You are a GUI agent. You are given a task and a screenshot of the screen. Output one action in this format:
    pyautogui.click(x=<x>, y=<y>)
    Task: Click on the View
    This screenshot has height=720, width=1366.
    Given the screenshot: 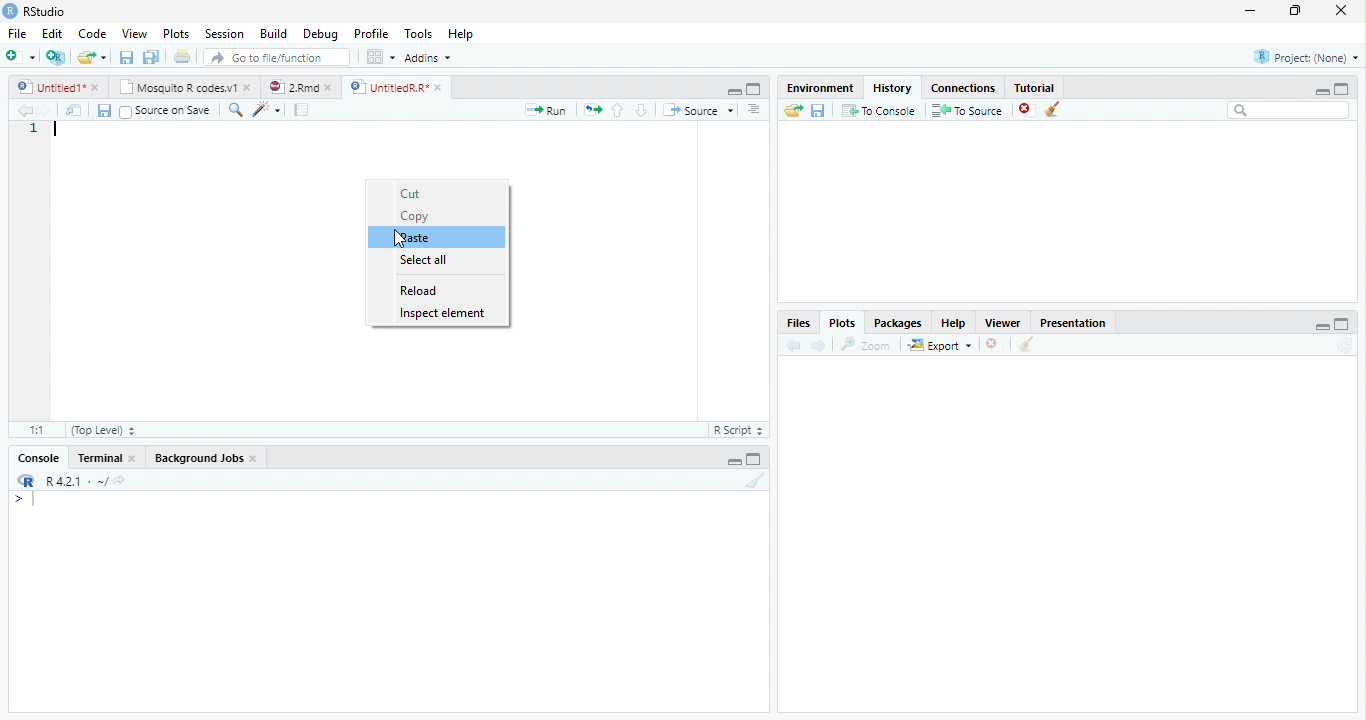 What is the action you would take?
    pyautogui.click(x=134, y=34)
    